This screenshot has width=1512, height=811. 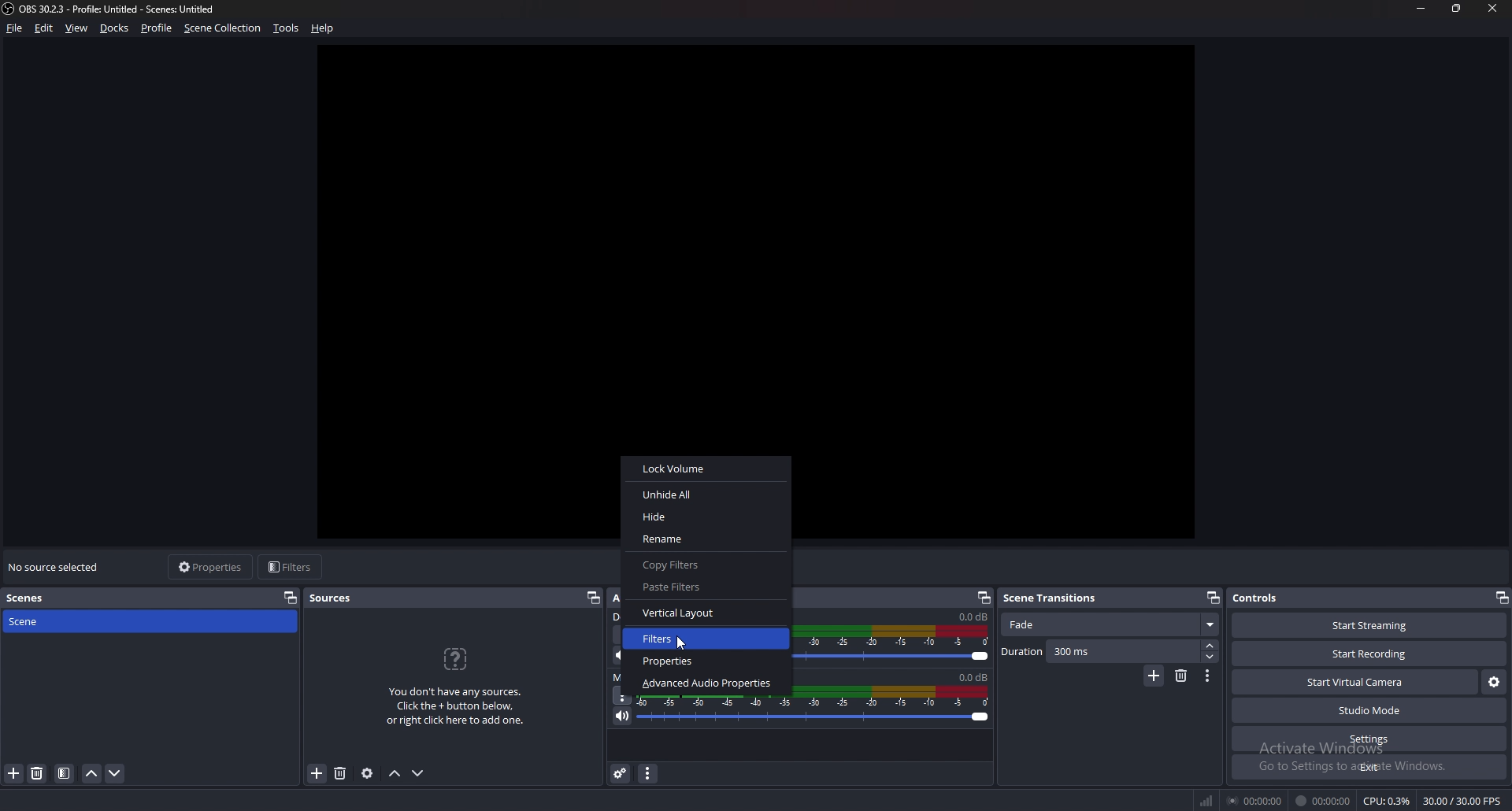 I want to click on scene transitions, so click(x=1055, y=599).